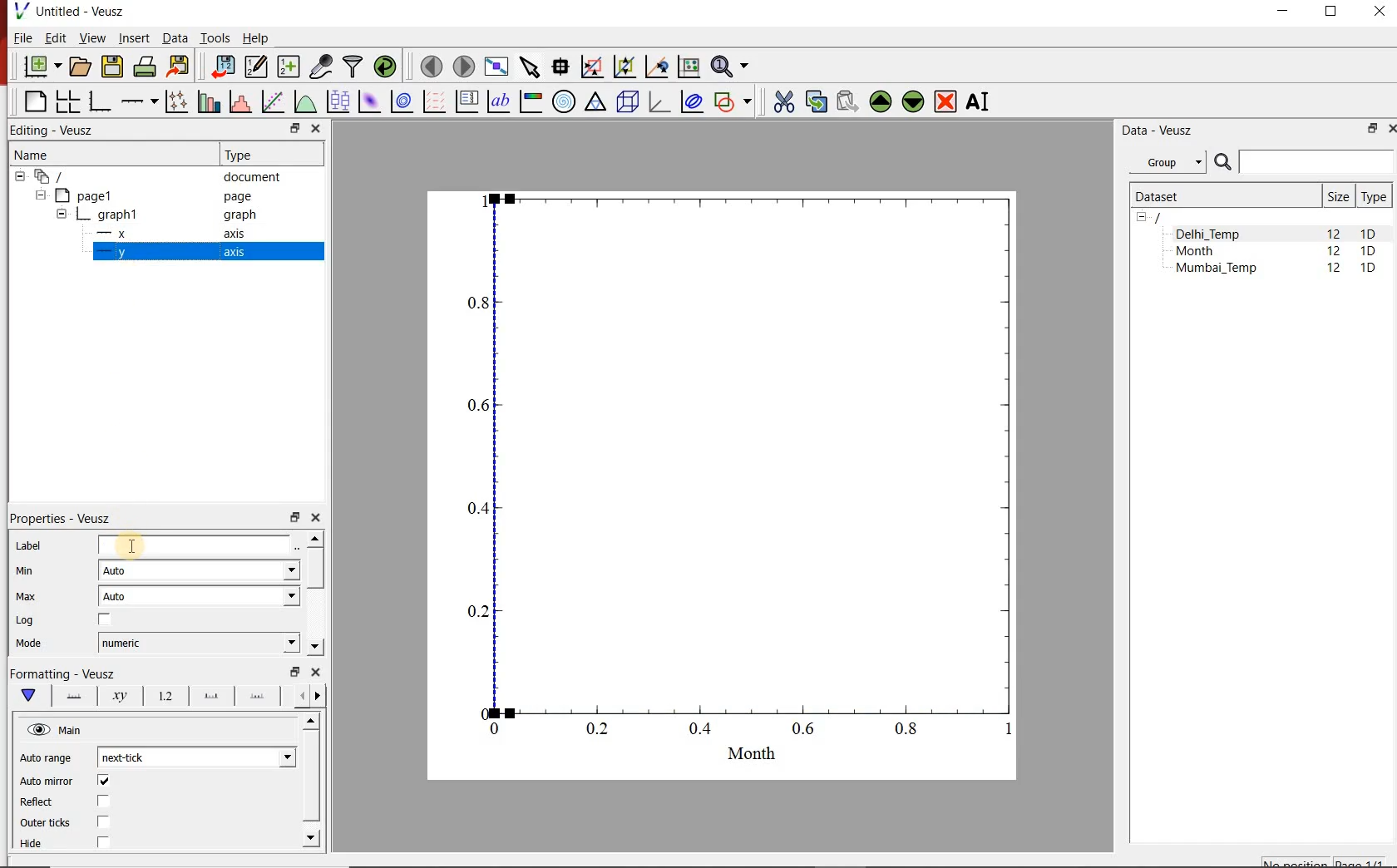 This screenshot has width=1397, height=868. What do you see at coordinates (133, 37) in the screenshot?
I see `Insert` at bounding box center [133, 37].